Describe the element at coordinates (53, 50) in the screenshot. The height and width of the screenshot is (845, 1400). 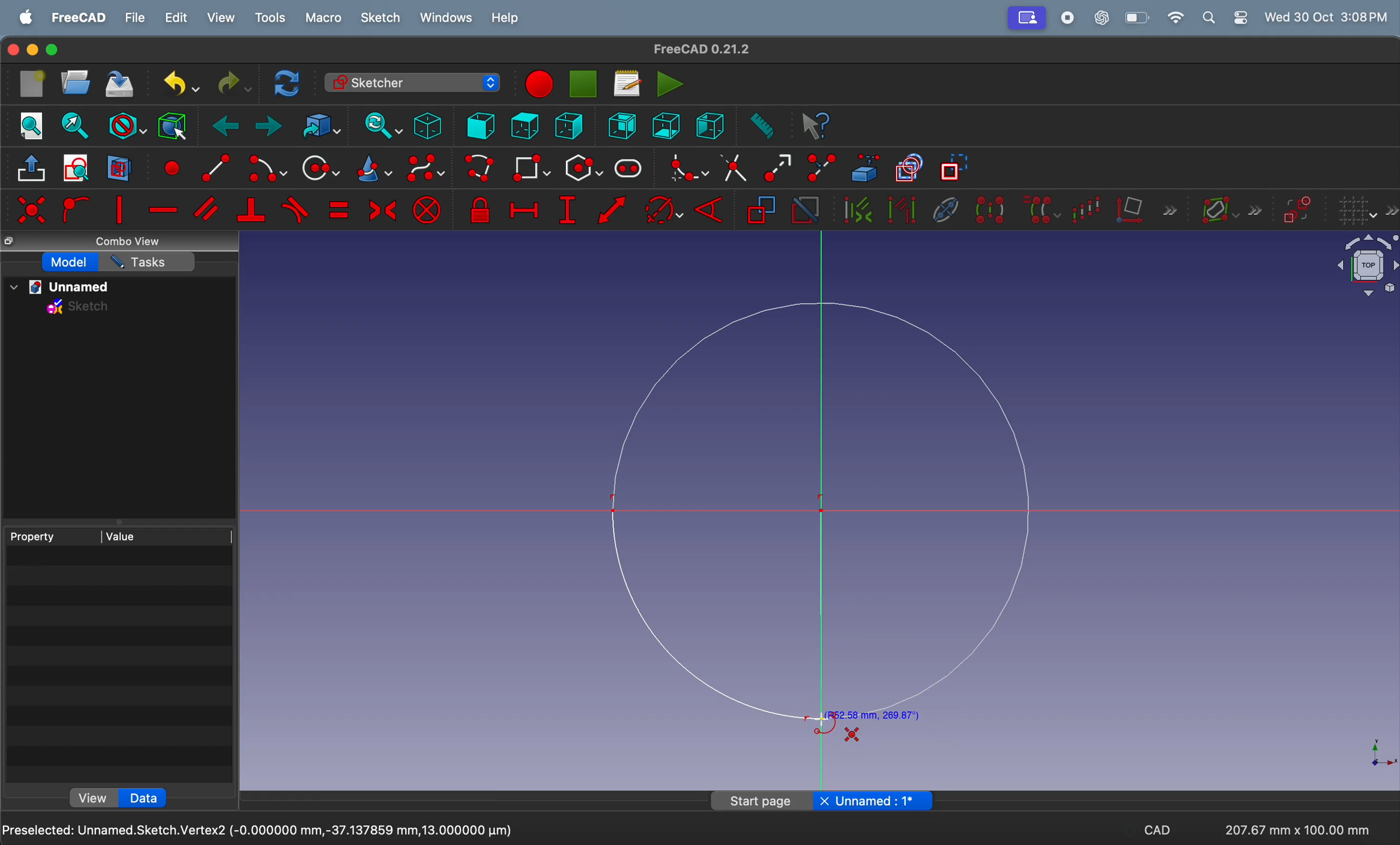
I see `Enter full screen` at that location.